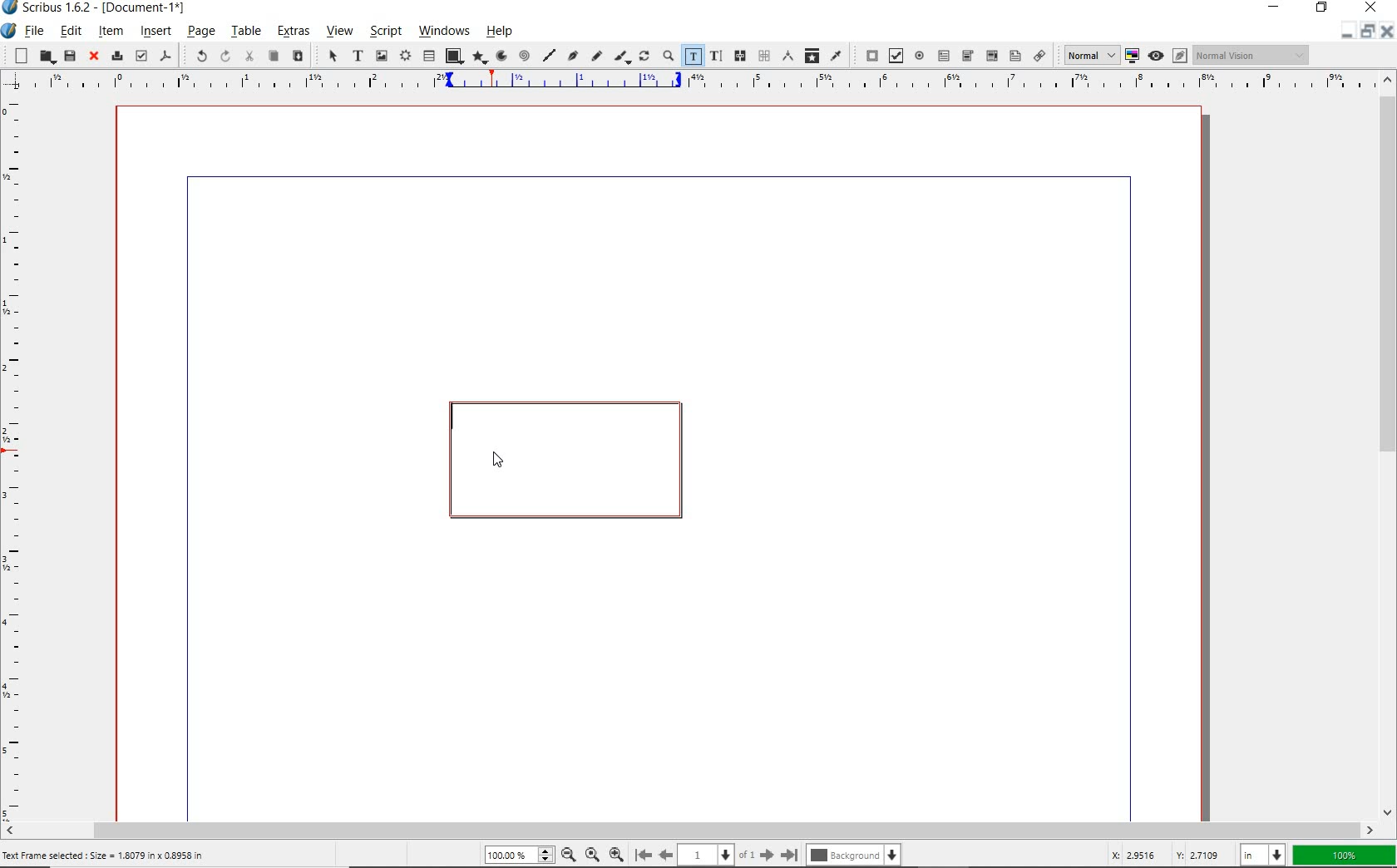 Image resolution: width=1397 pixels, height=868 pixels. Describe the element at coordinates (836, 55) in the screenshot. I see `eye dropper` at that location.